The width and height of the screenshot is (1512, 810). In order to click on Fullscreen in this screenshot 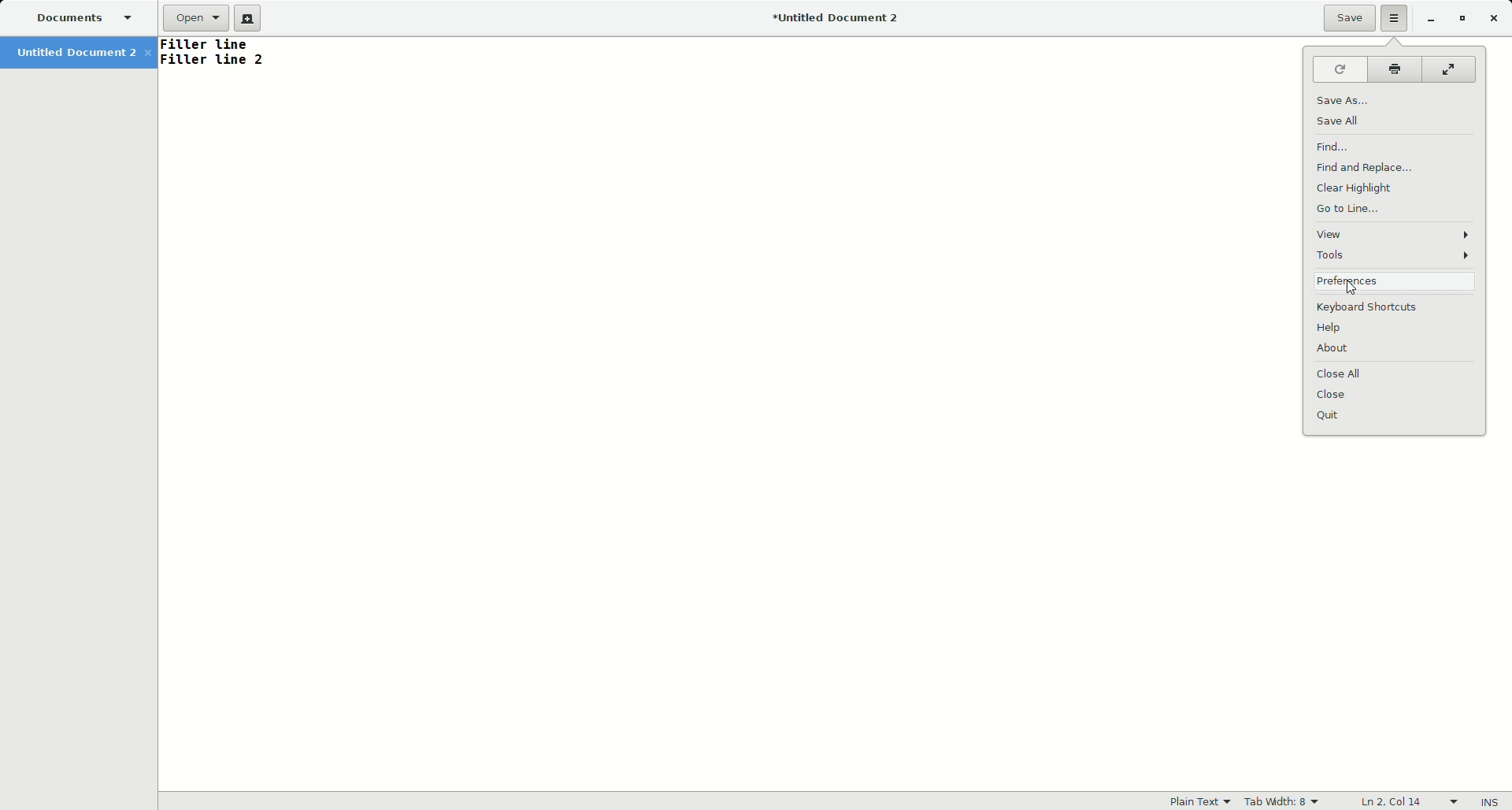, I will do `click(1447, 68)`.